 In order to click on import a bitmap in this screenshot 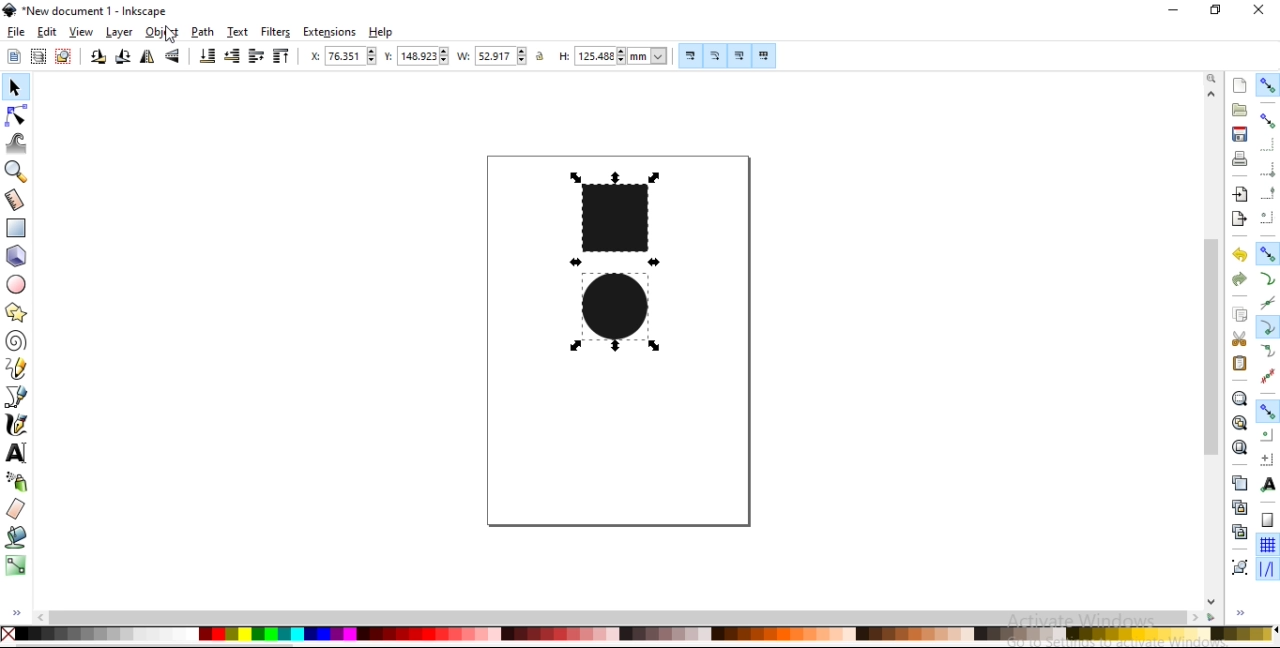, I will do `click(1241, 194)`.